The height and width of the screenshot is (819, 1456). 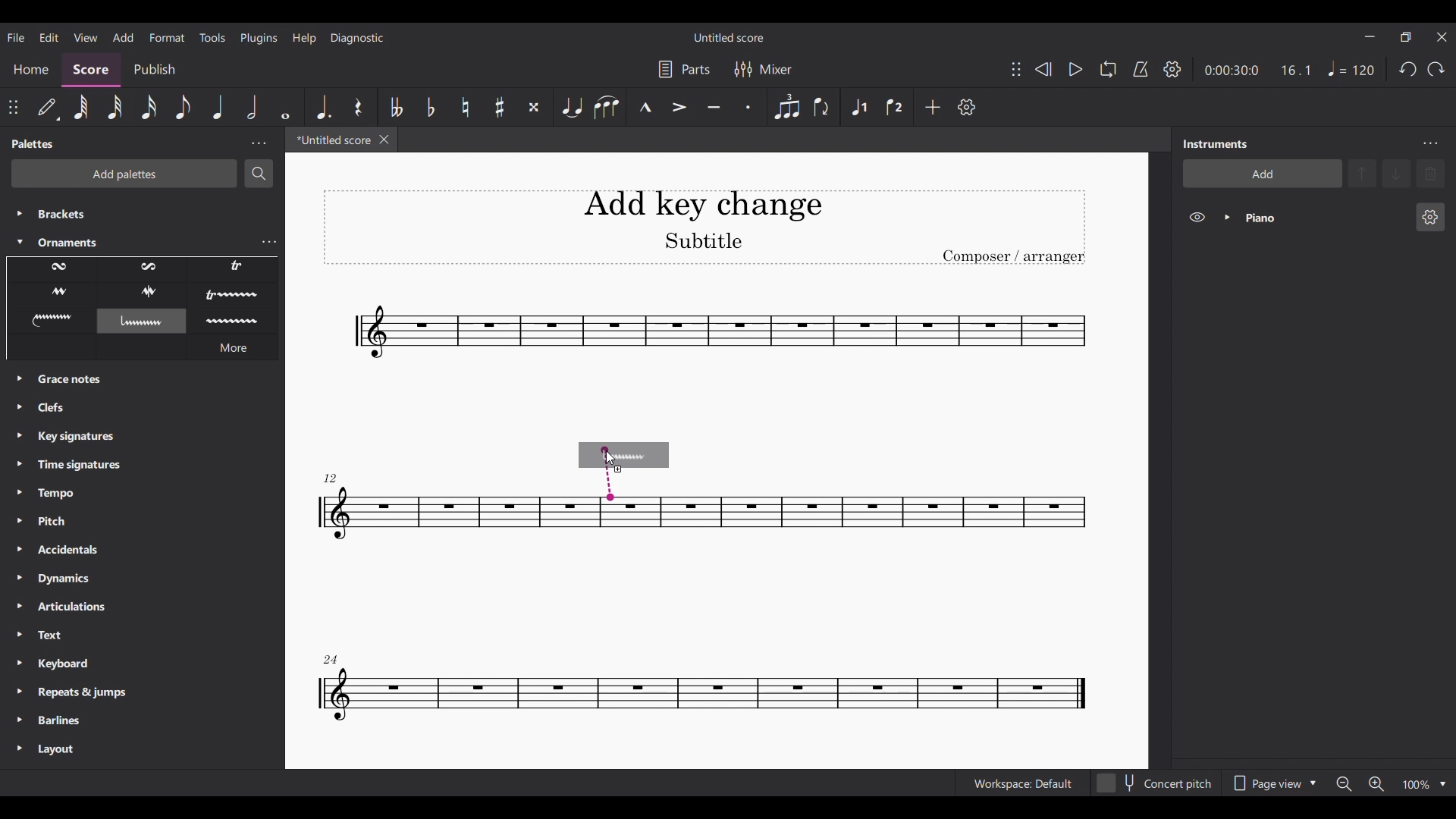 I want to click on Mixer settings, so click(x=763, y=70).